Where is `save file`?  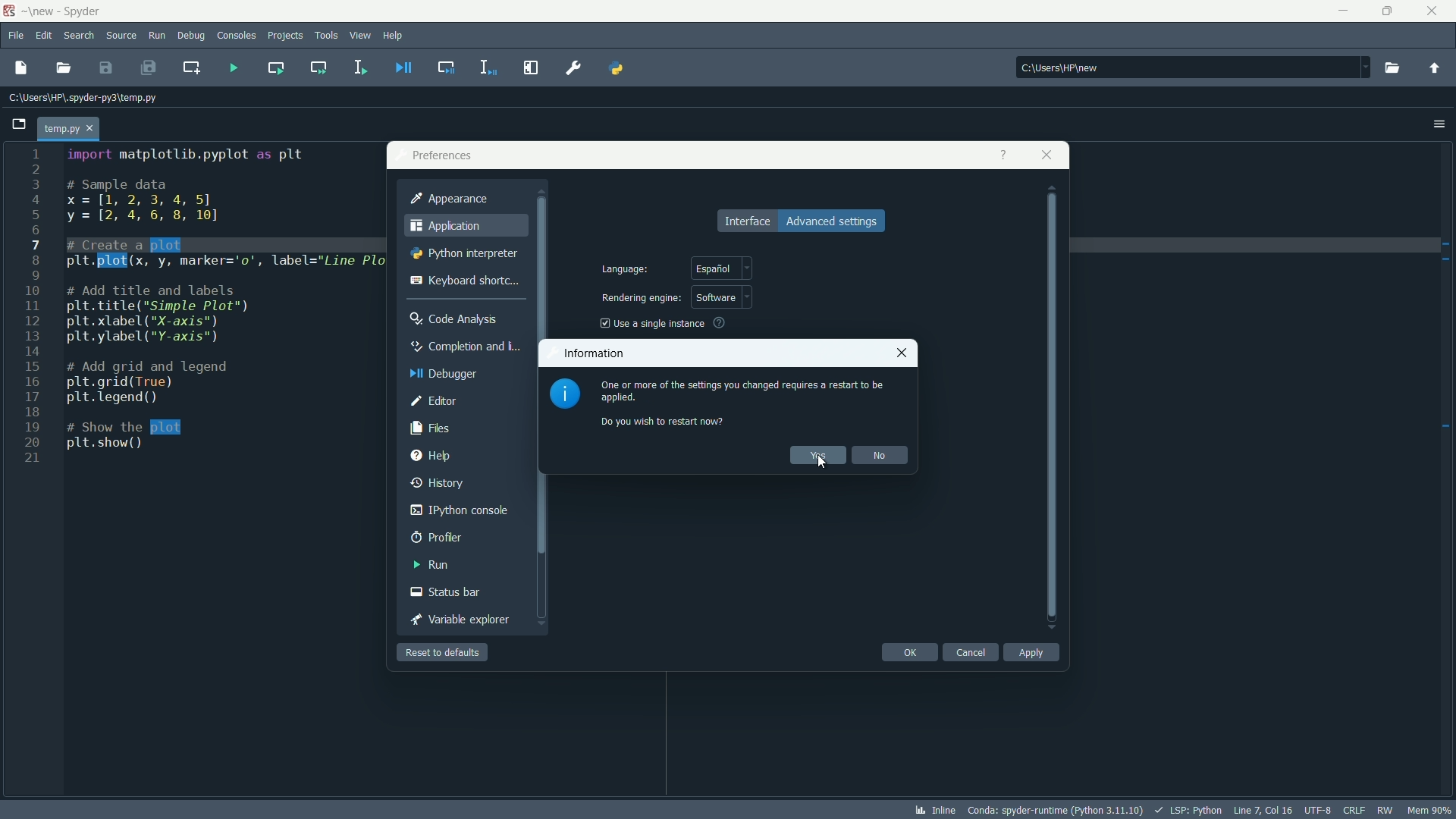
save file is located at coordinates (106, 68).